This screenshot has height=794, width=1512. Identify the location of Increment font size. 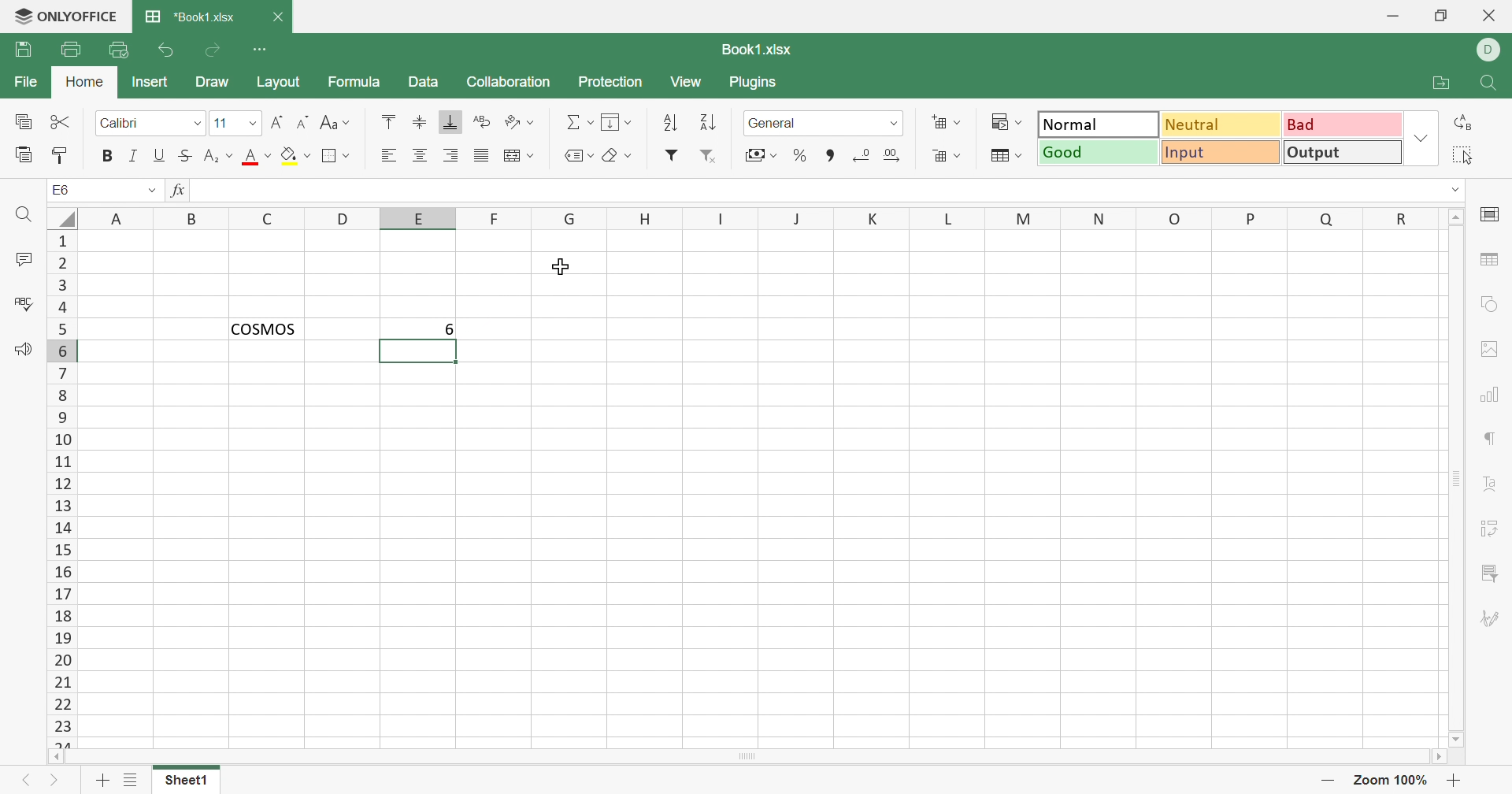
(279, 121).